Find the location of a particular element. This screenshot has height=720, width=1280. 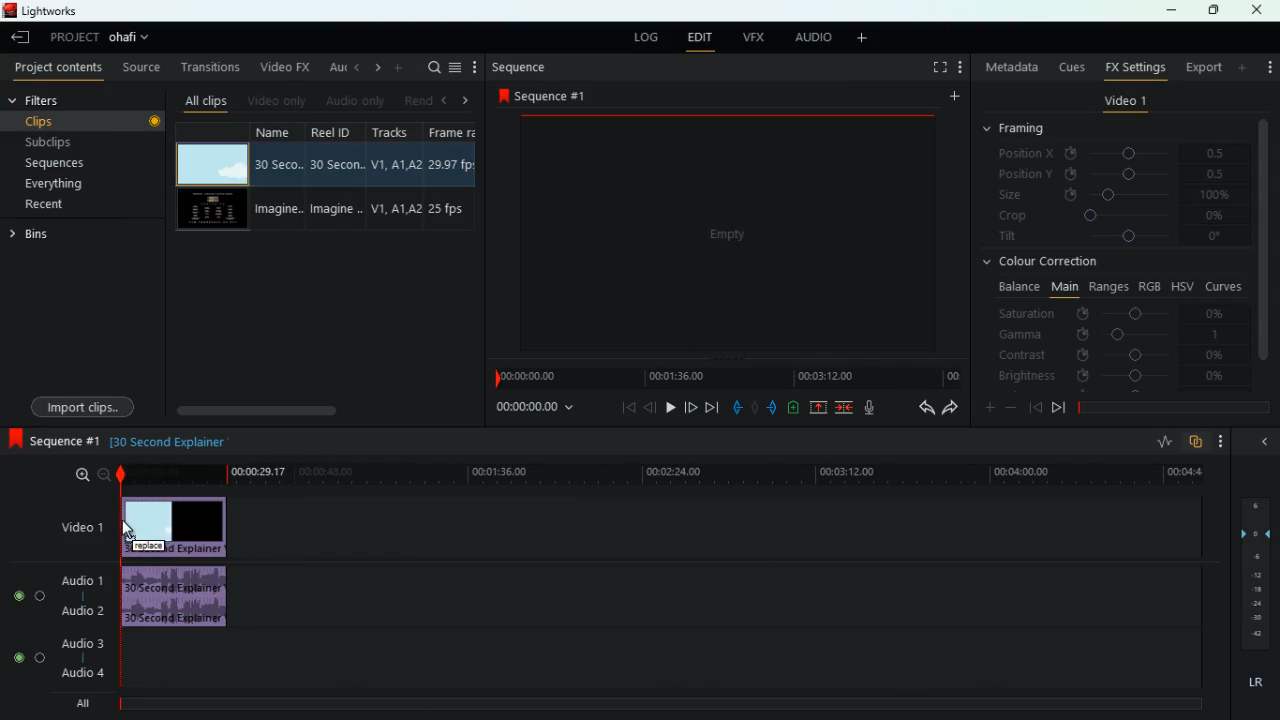

audio 1 is located at coordinates (85, 580).